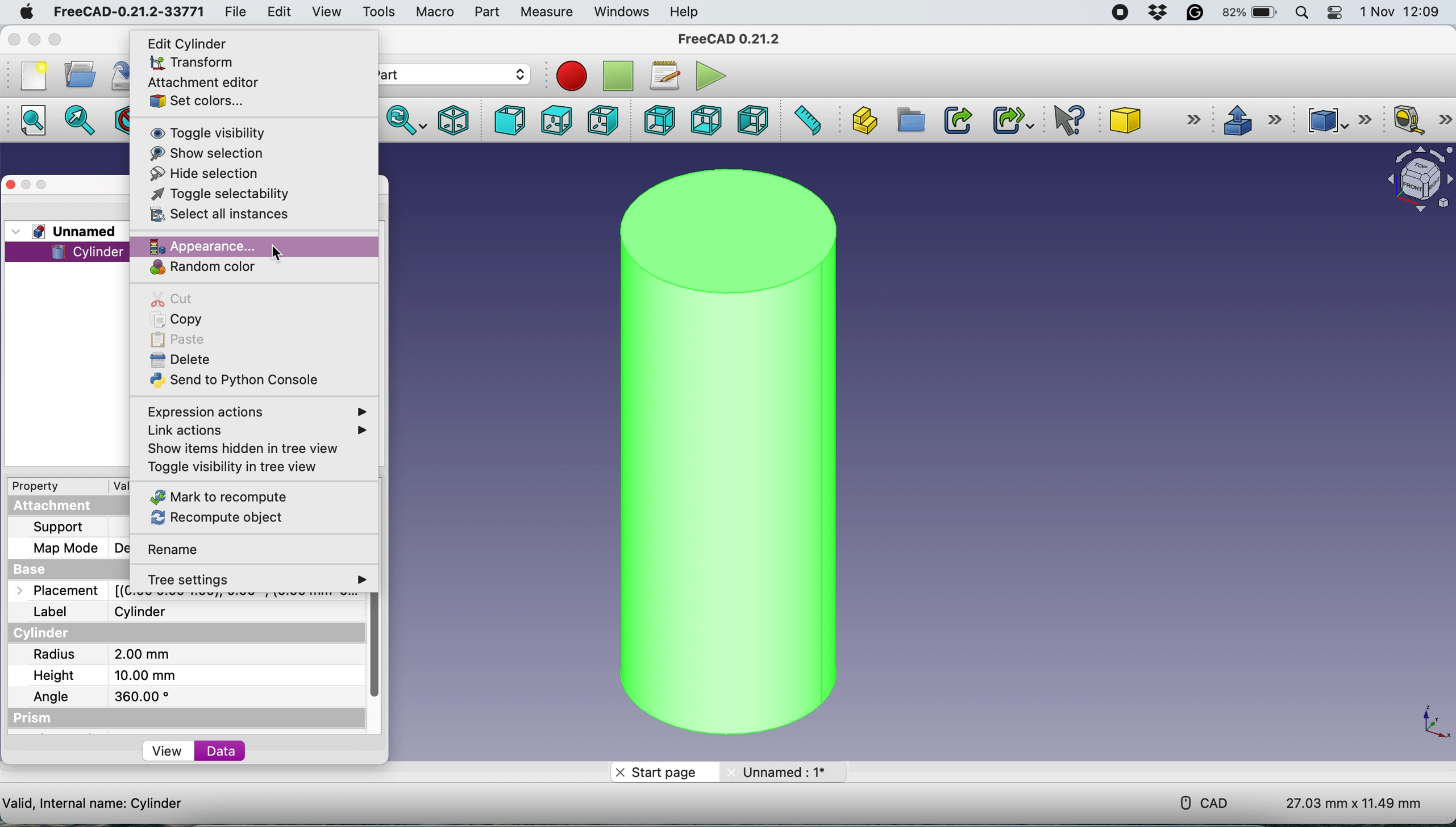  Describe the element at coordinates (1338, 119) in the screenshot. I see `compound tools` at that location.